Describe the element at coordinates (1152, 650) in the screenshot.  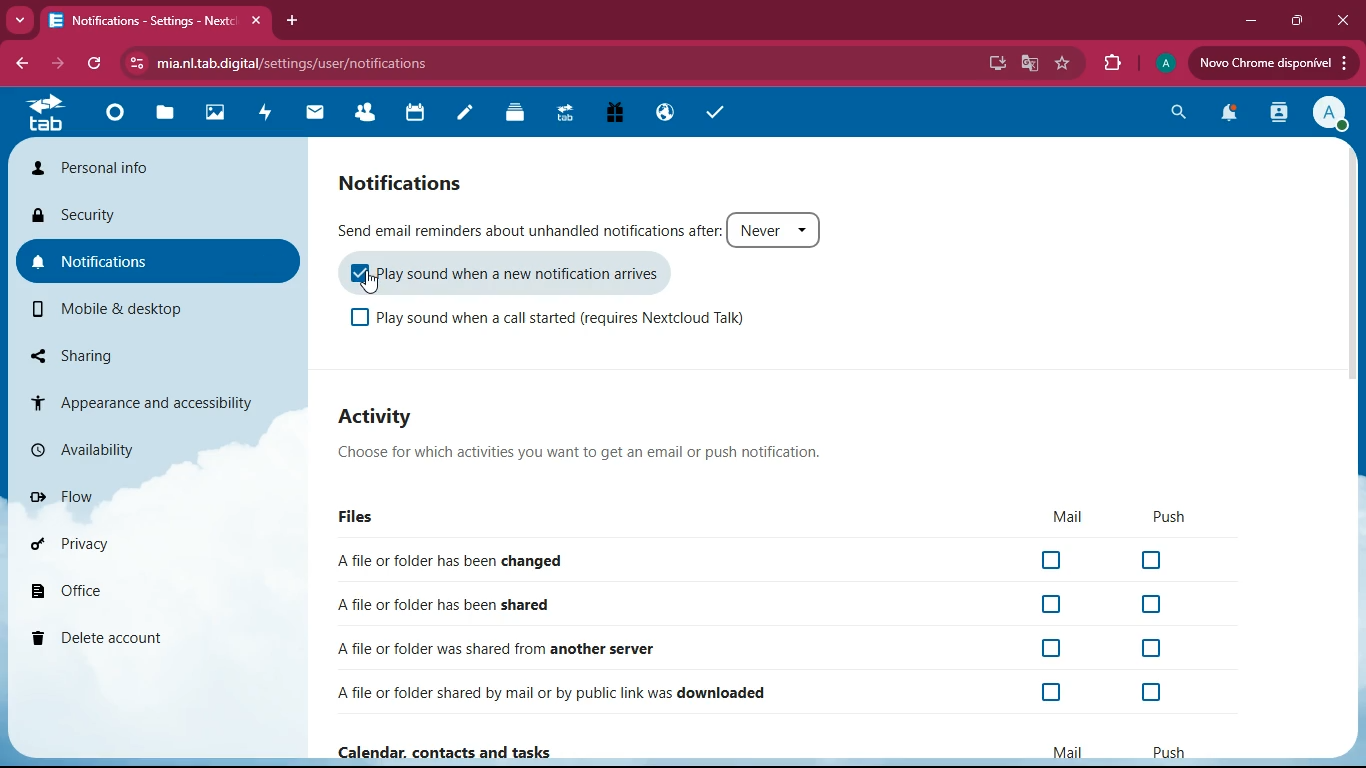
I see `off` at that location.